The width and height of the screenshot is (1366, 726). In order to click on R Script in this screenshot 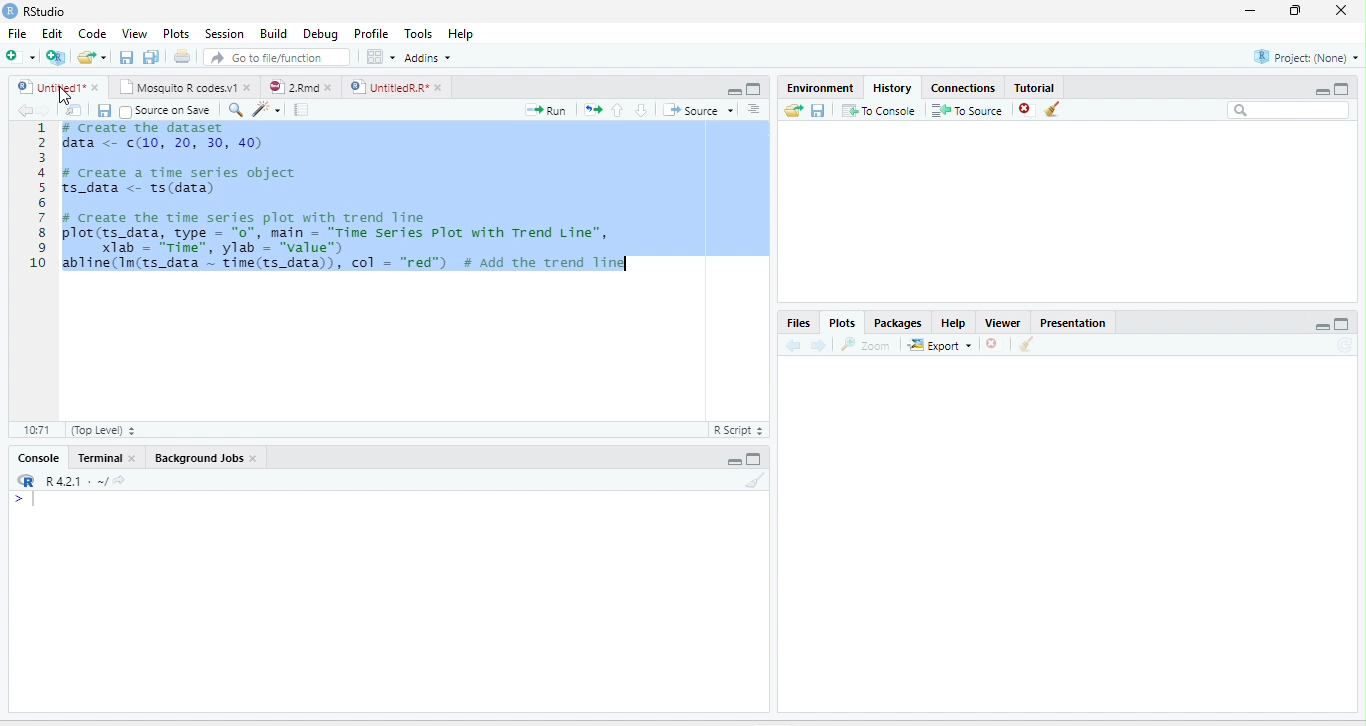, I will do `click(739, 430)`.